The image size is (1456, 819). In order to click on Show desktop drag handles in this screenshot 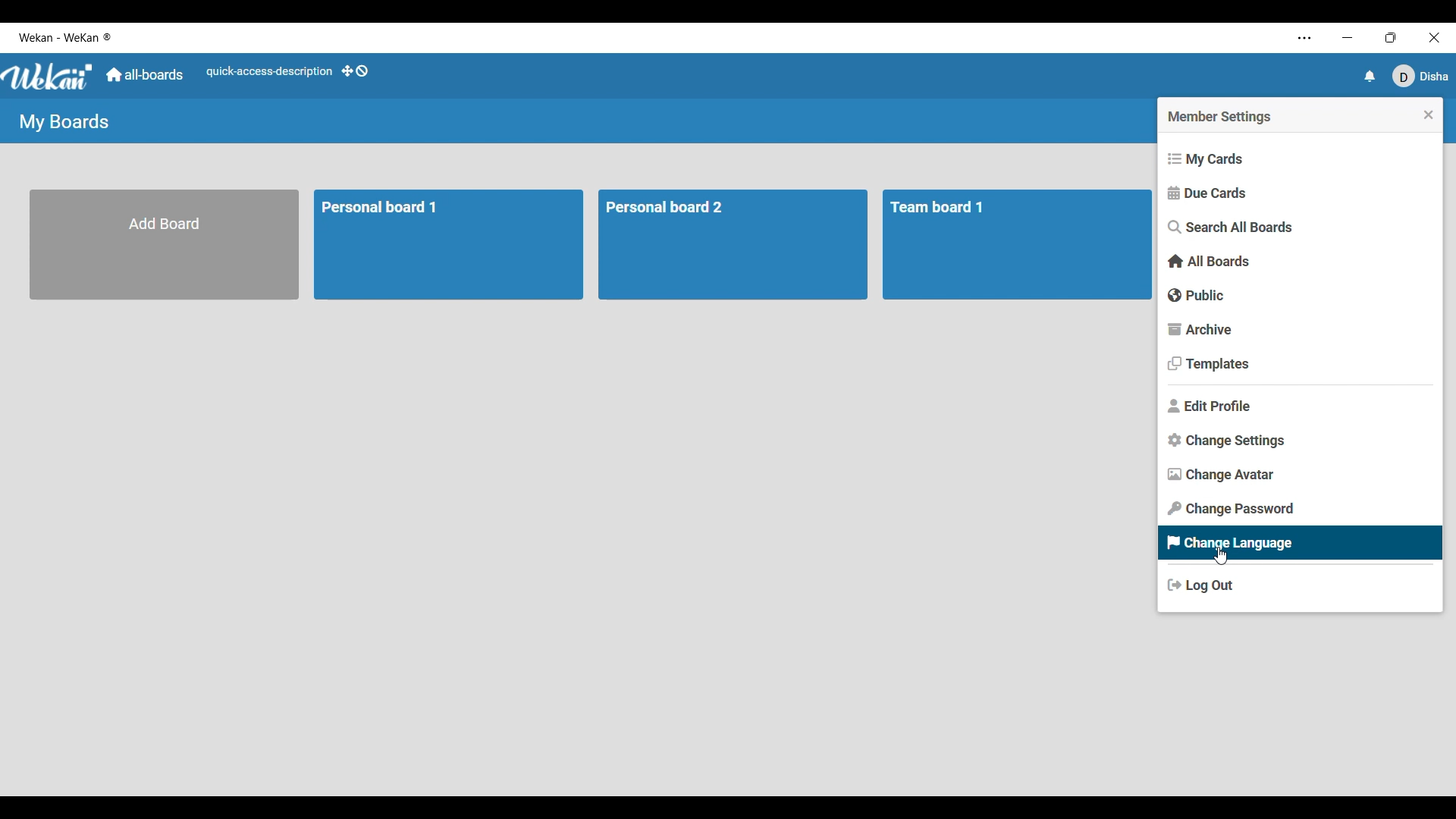, I will do `click(354, 71)`.